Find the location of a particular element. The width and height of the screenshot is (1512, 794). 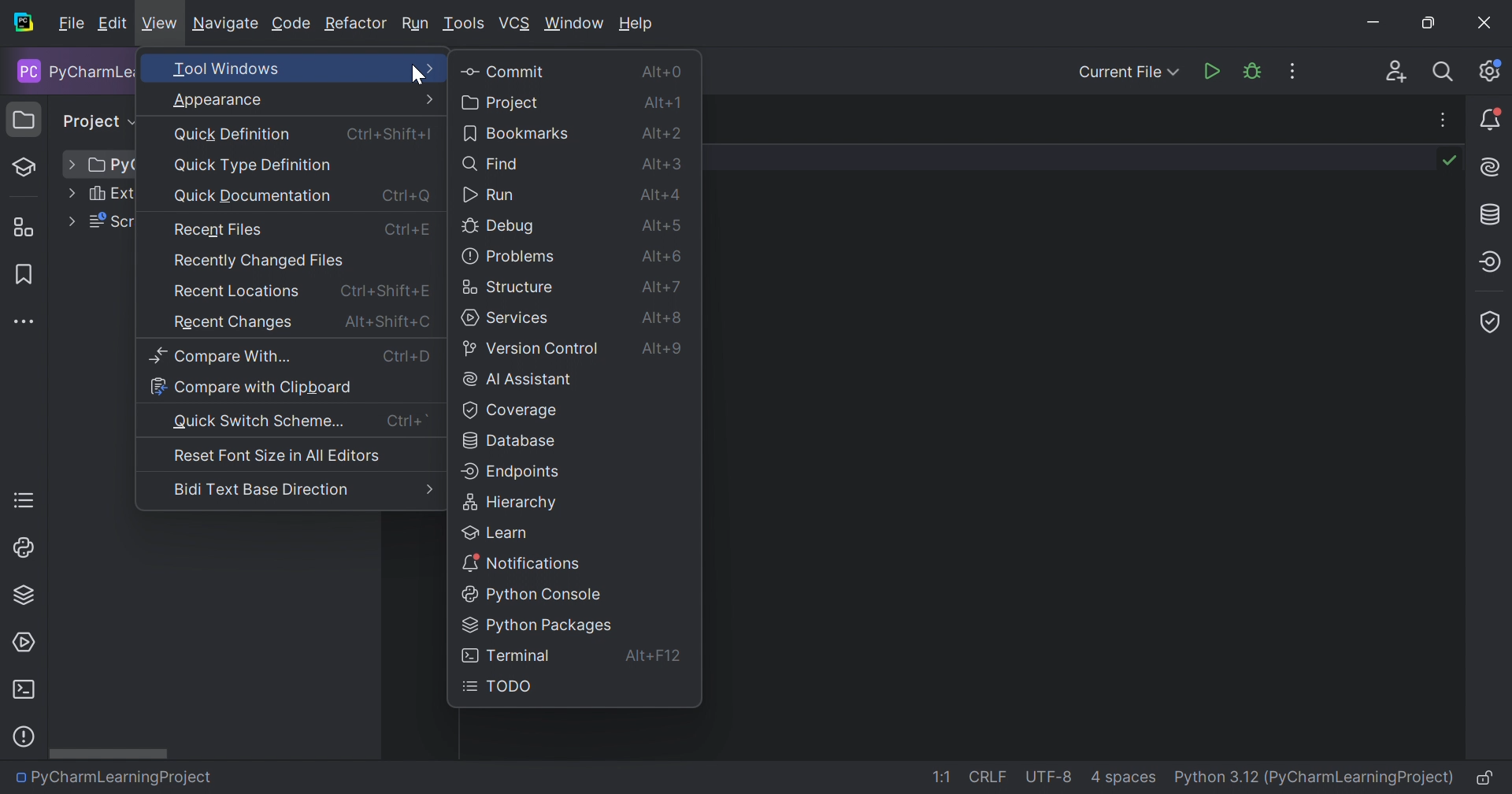

Bidi Text Base Direction is located at coordinates (261, 489).